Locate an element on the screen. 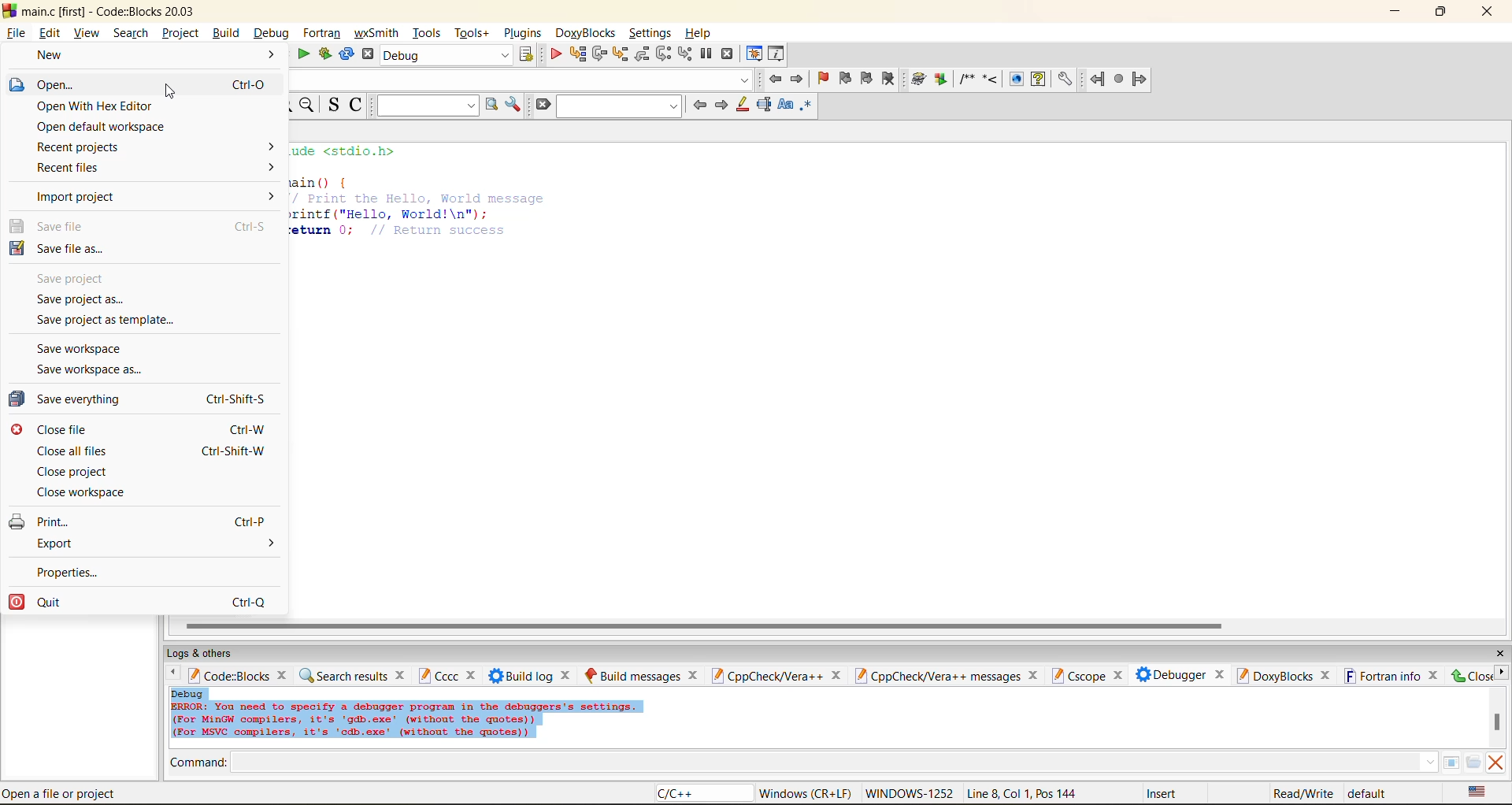 This screenshot has width=1512, height=805. logs and others is located at coordinates (210, 653).